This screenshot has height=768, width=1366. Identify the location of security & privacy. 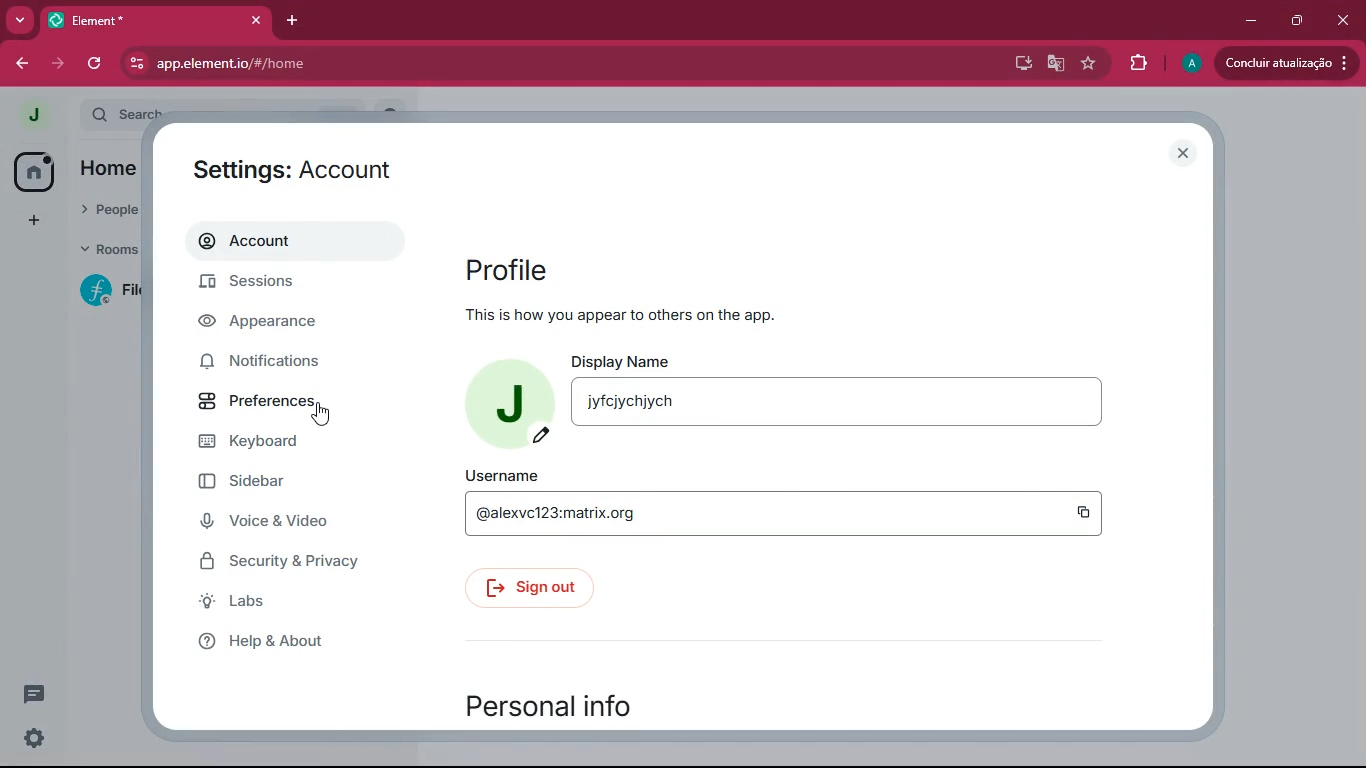
(281, 560).